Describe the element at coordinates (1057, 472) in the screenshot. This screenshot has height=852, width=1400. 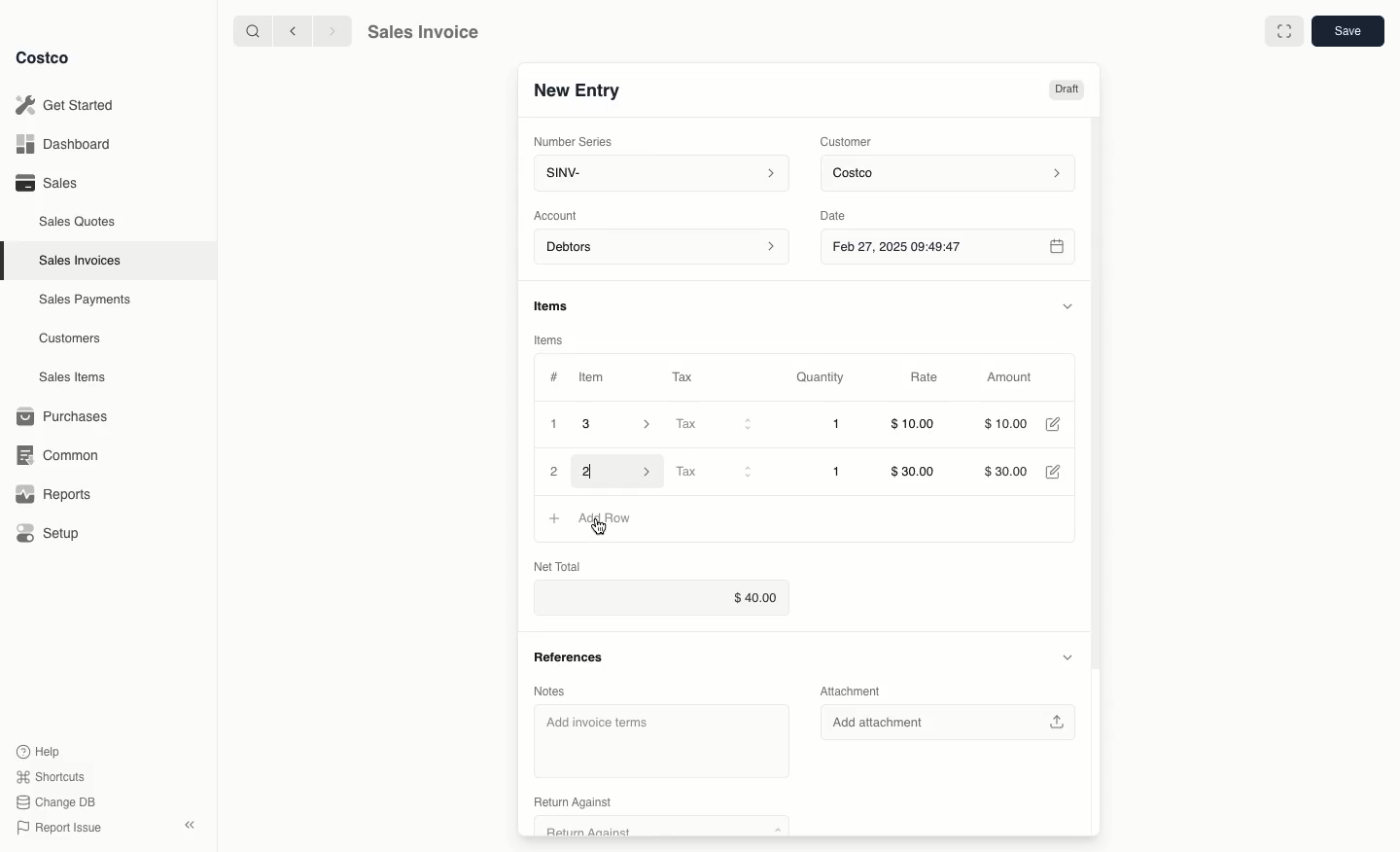
I see `Edit` at that location.